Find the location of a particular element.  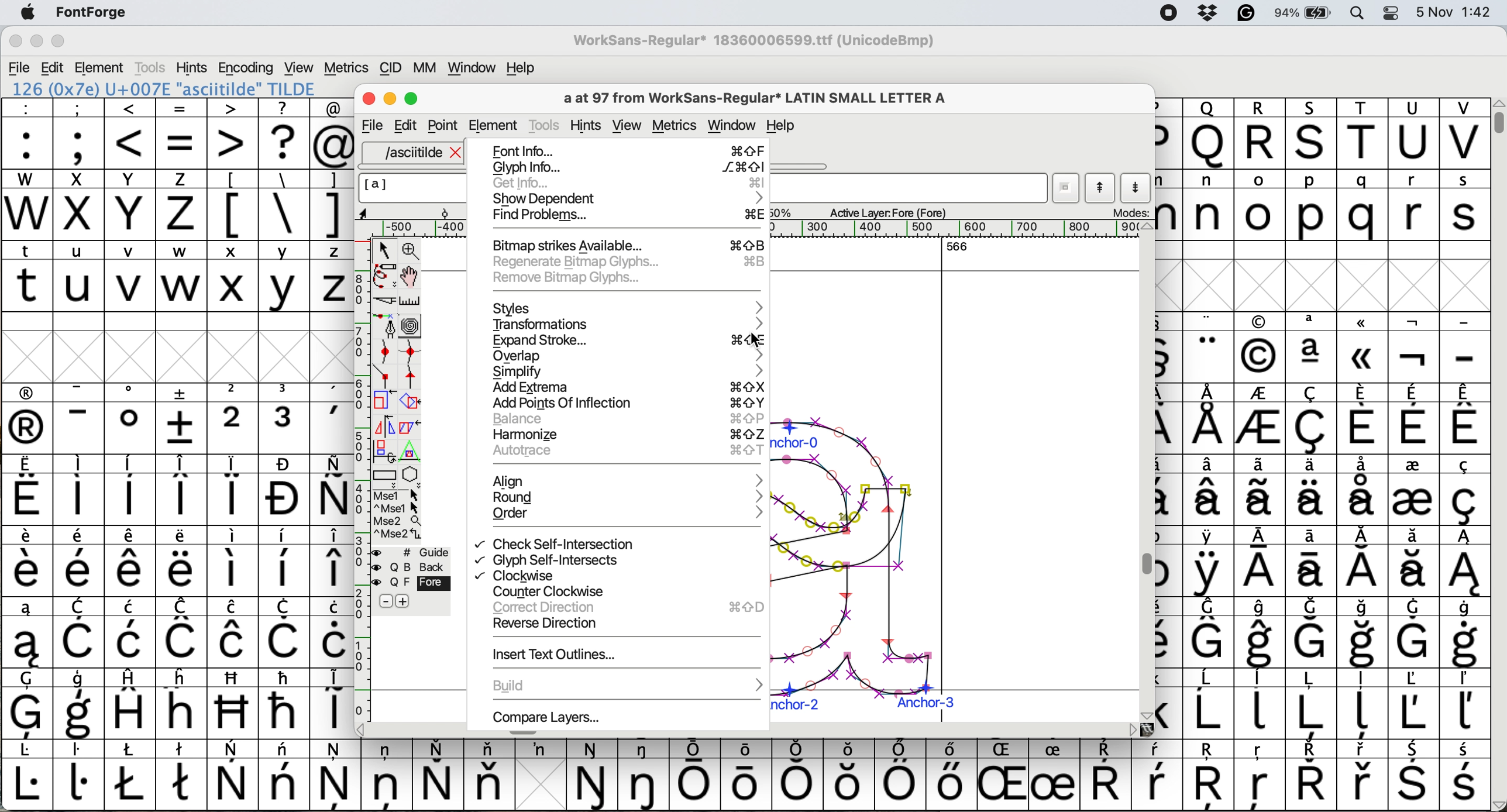

spotlight search is located at coordinates (1361, 12).